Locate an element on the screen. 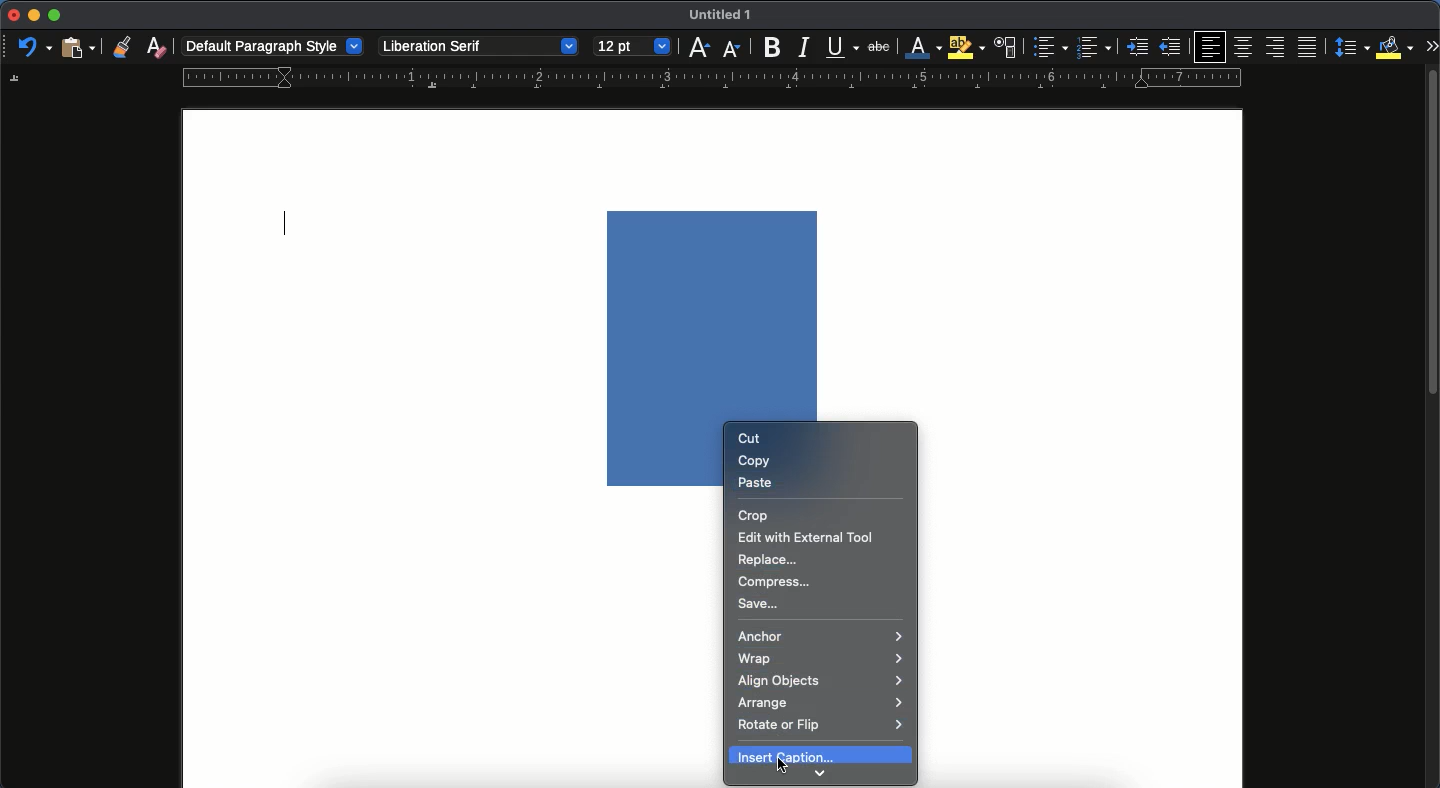  highlight  is located at coordinates (966, 47).